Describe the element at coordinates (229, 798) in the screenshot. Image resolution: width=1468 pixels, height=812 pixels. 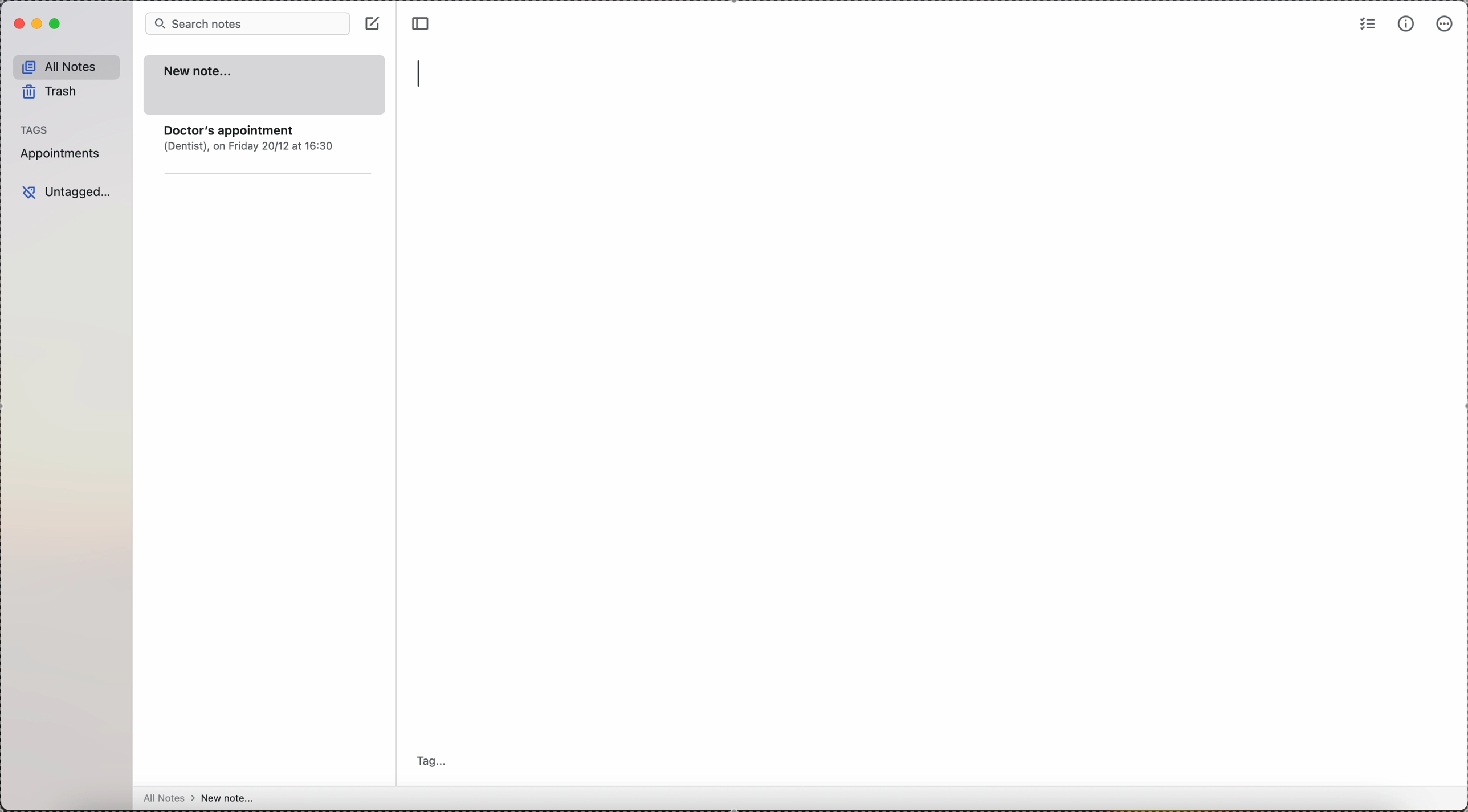
I see `all notes` at that location.